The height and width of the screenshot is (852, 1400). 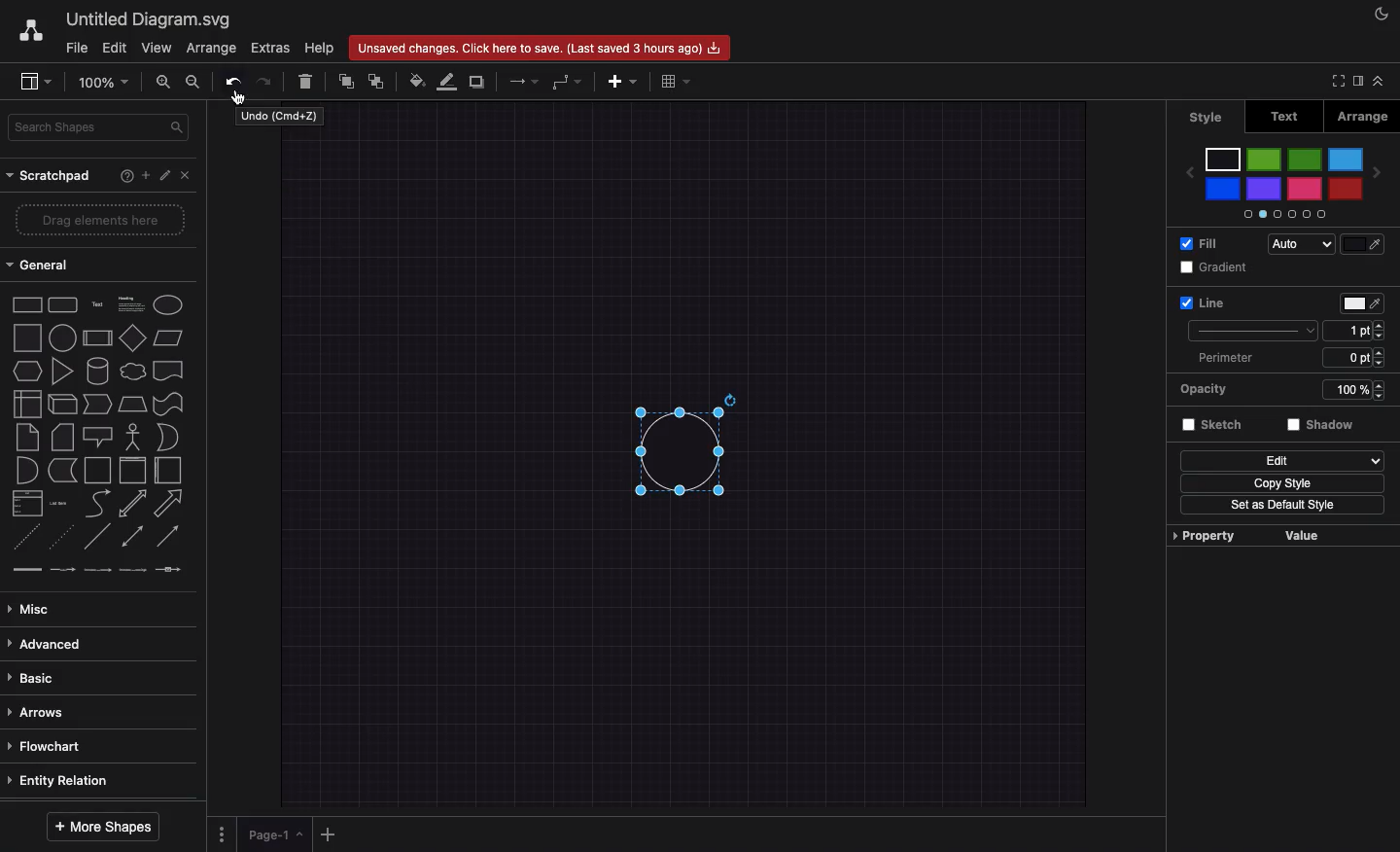 What do you see at coordinates (65, 780) in the screenshot?
I see `Entity rotation` at bounding box center [65, 780].